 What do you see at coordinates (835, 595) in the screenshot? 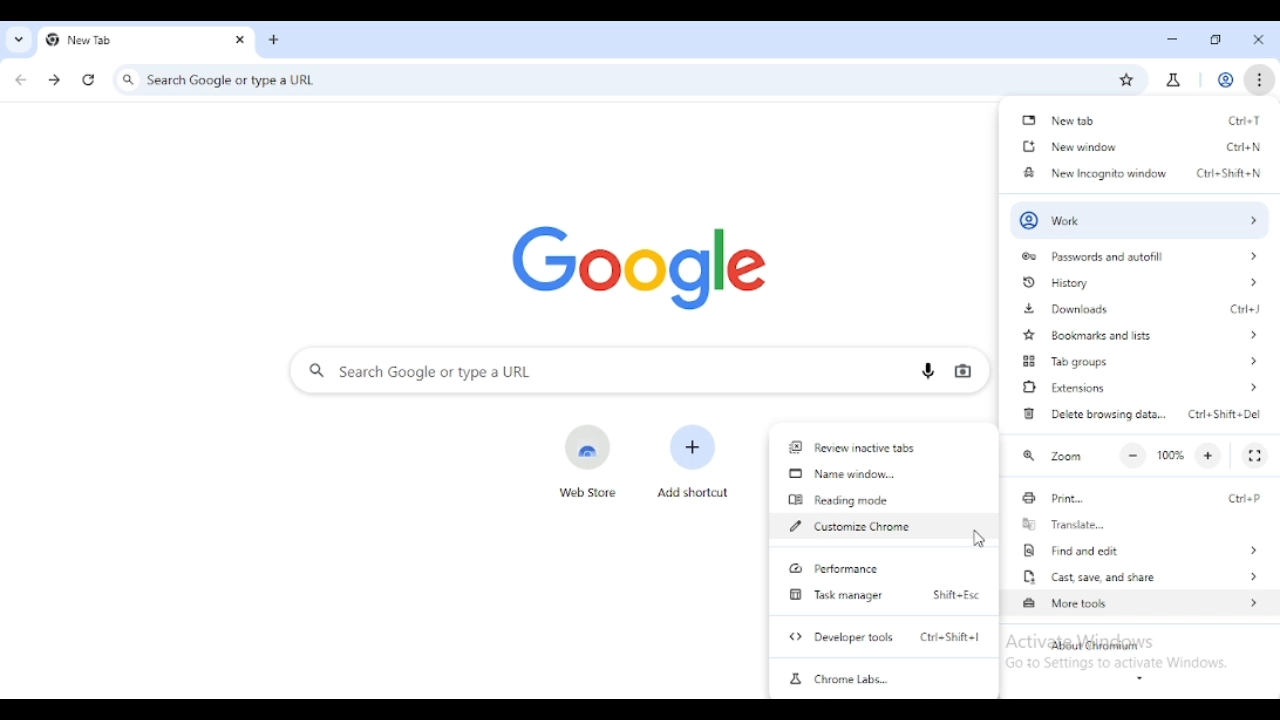
I see `task manager` at bounding box center [835, 595].